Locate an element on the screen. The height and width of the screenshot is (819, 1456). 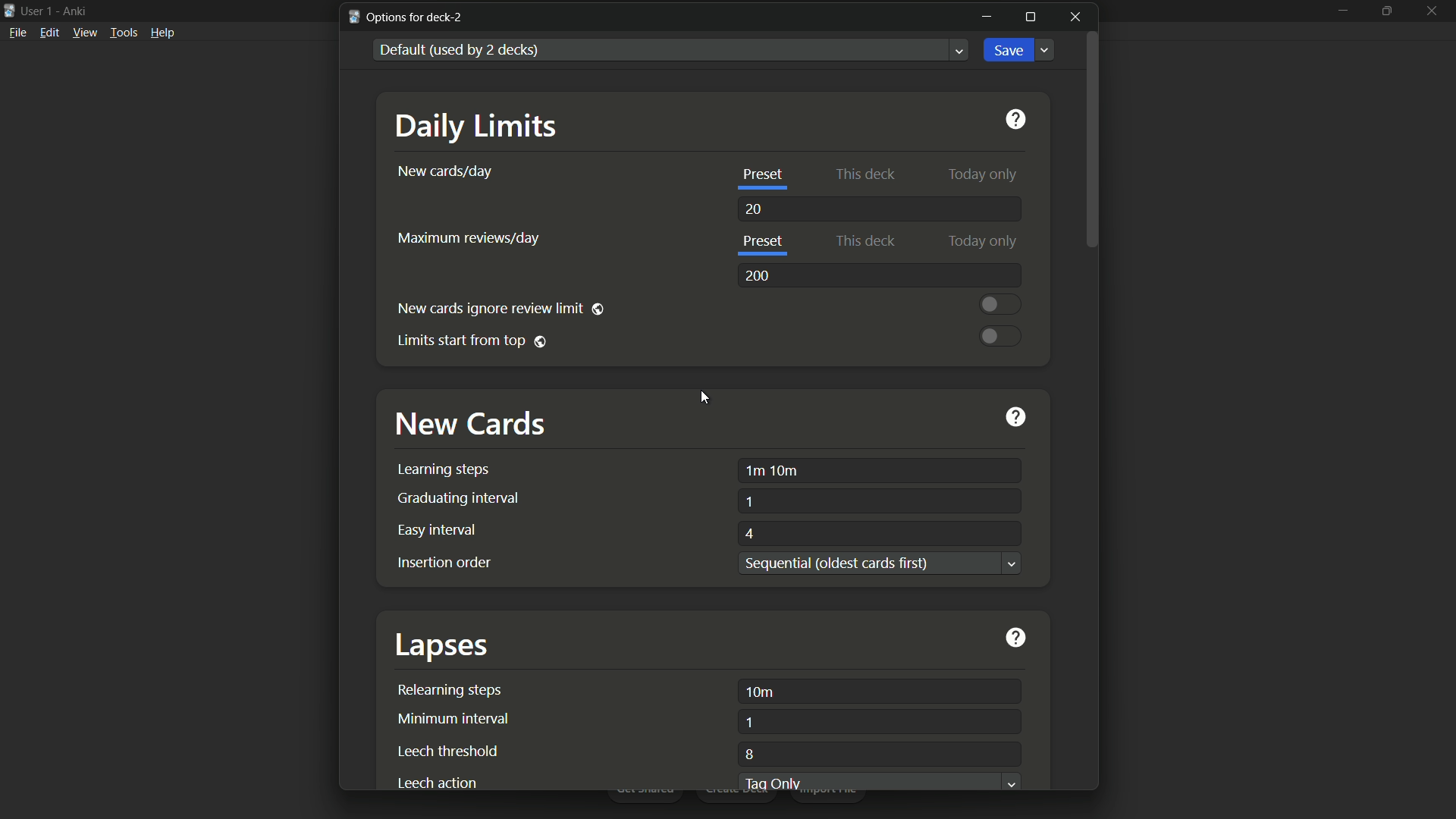
today only is located at coordinates (981, 240).